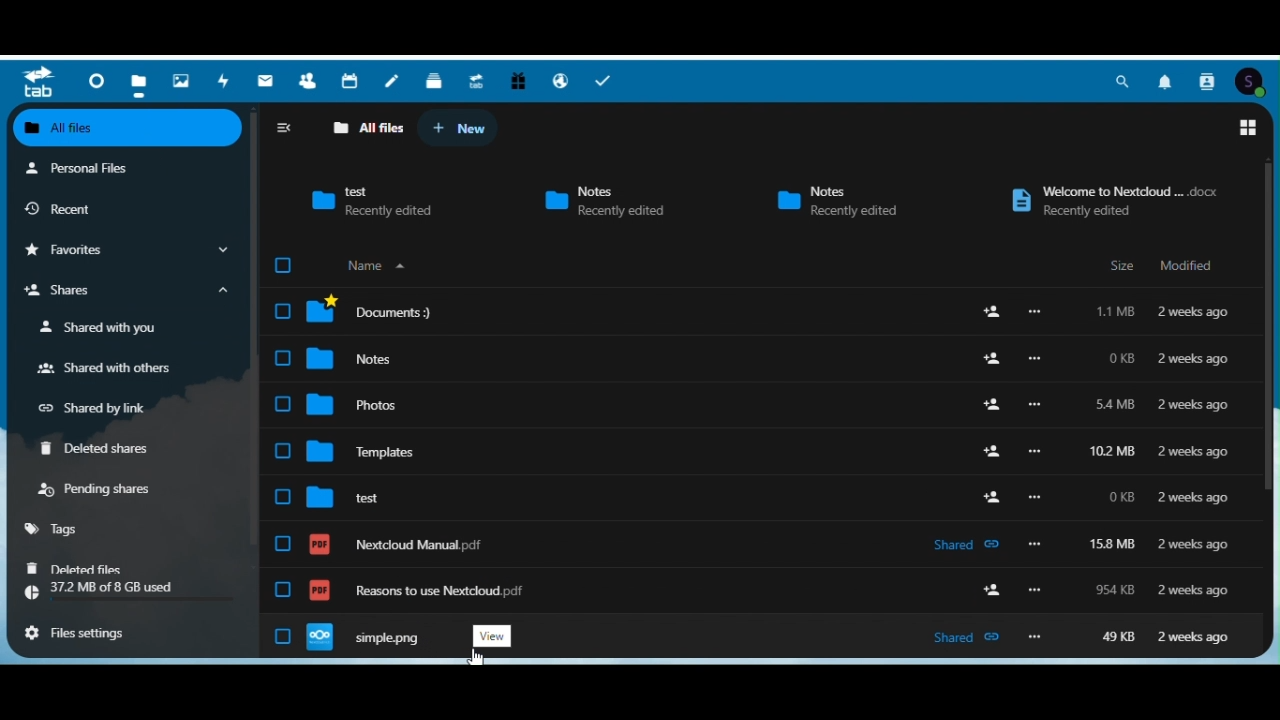 The height and width of the screenshot is (720, 1280). What do you see at coordinates (131, 594) in the screenshot?
I see `Storage status` at bounding box center [131, 594].